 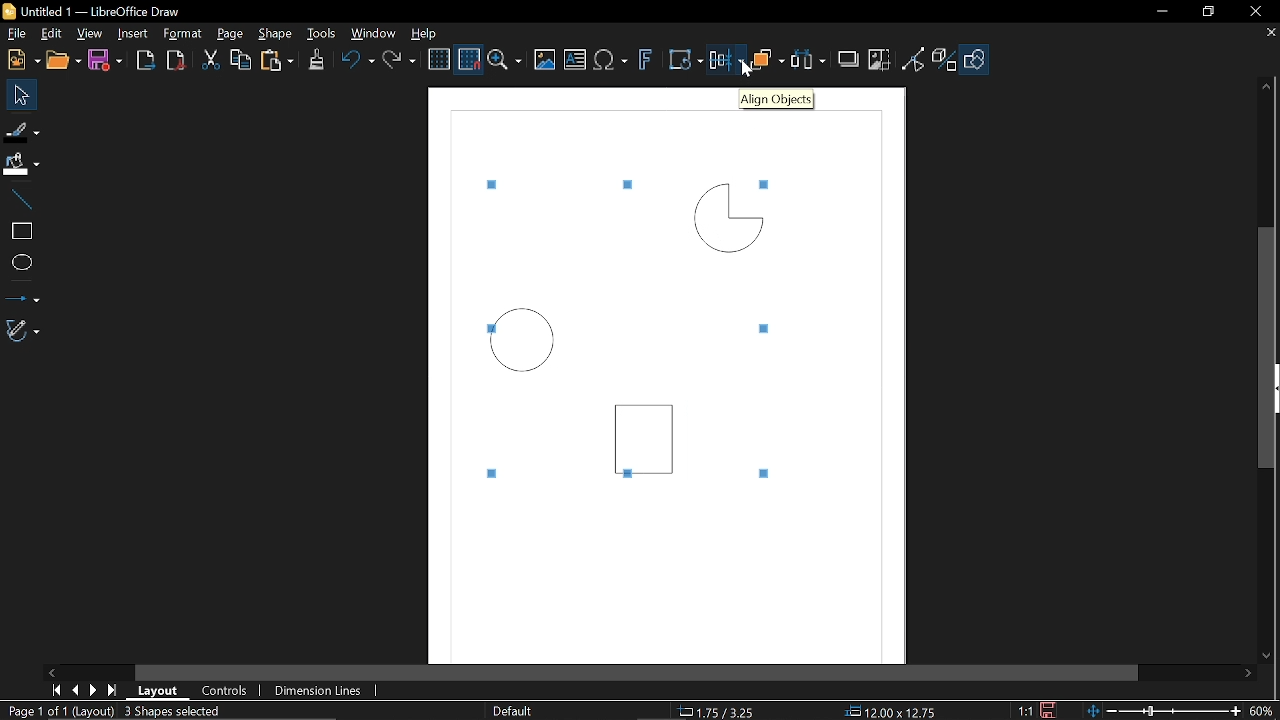 I want to click on Cut , so click(x=210, y=60).